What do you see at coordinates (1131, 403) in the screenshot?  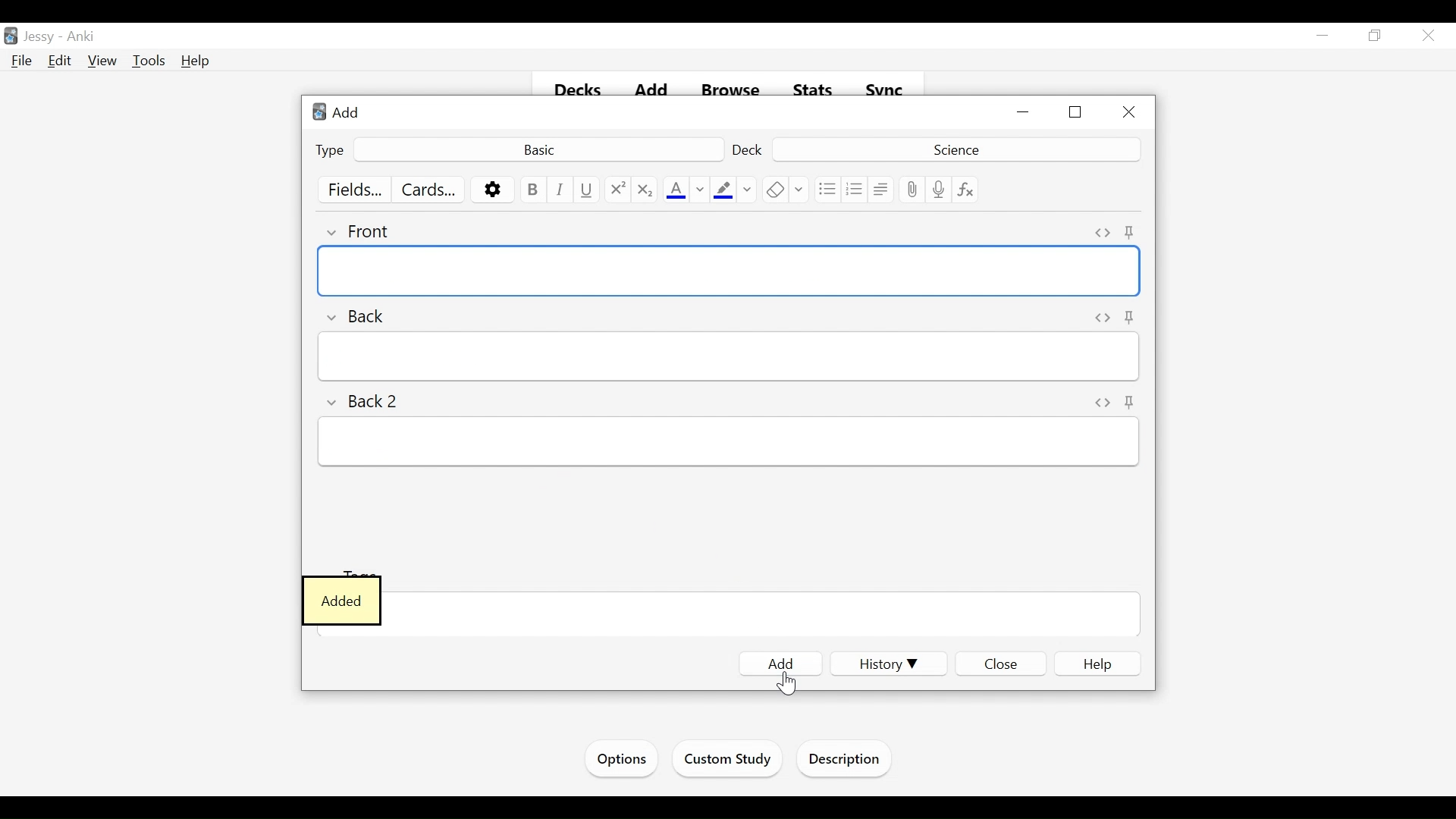 I see `` at bounding box center [1131, 403].